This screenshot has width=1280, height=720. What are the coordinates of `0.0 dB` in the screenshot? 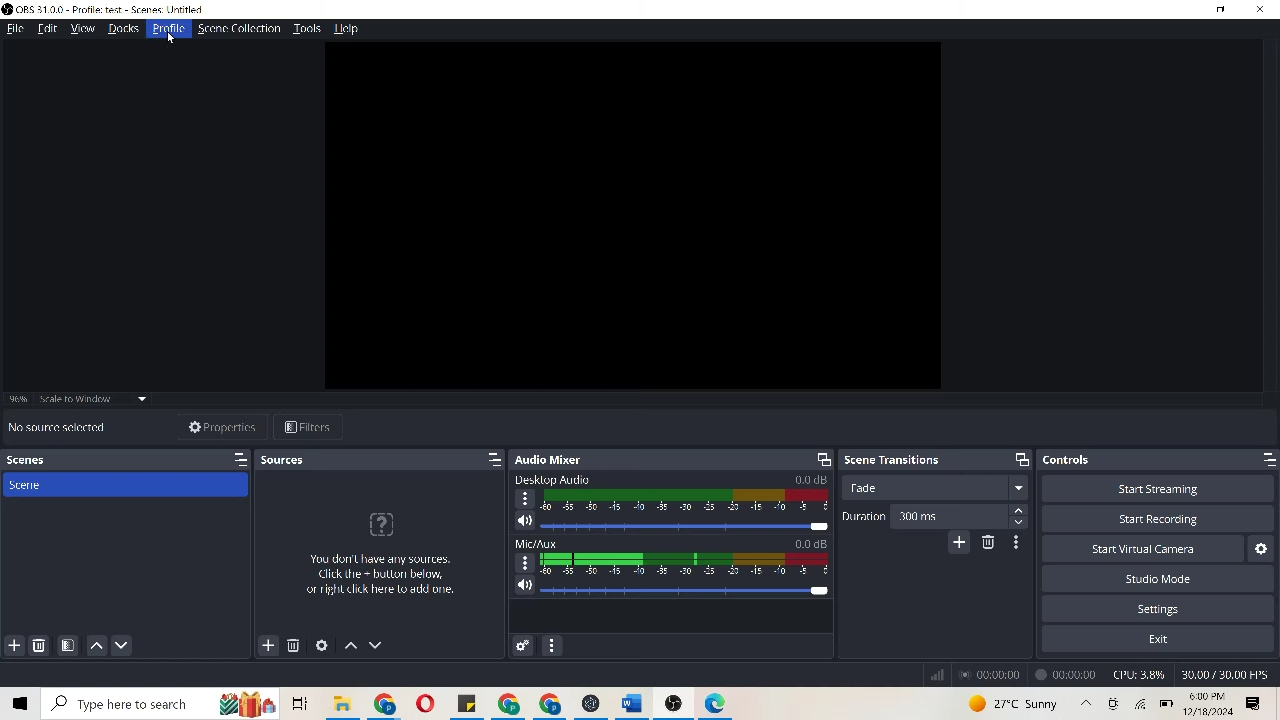 It's located at (813, 544).